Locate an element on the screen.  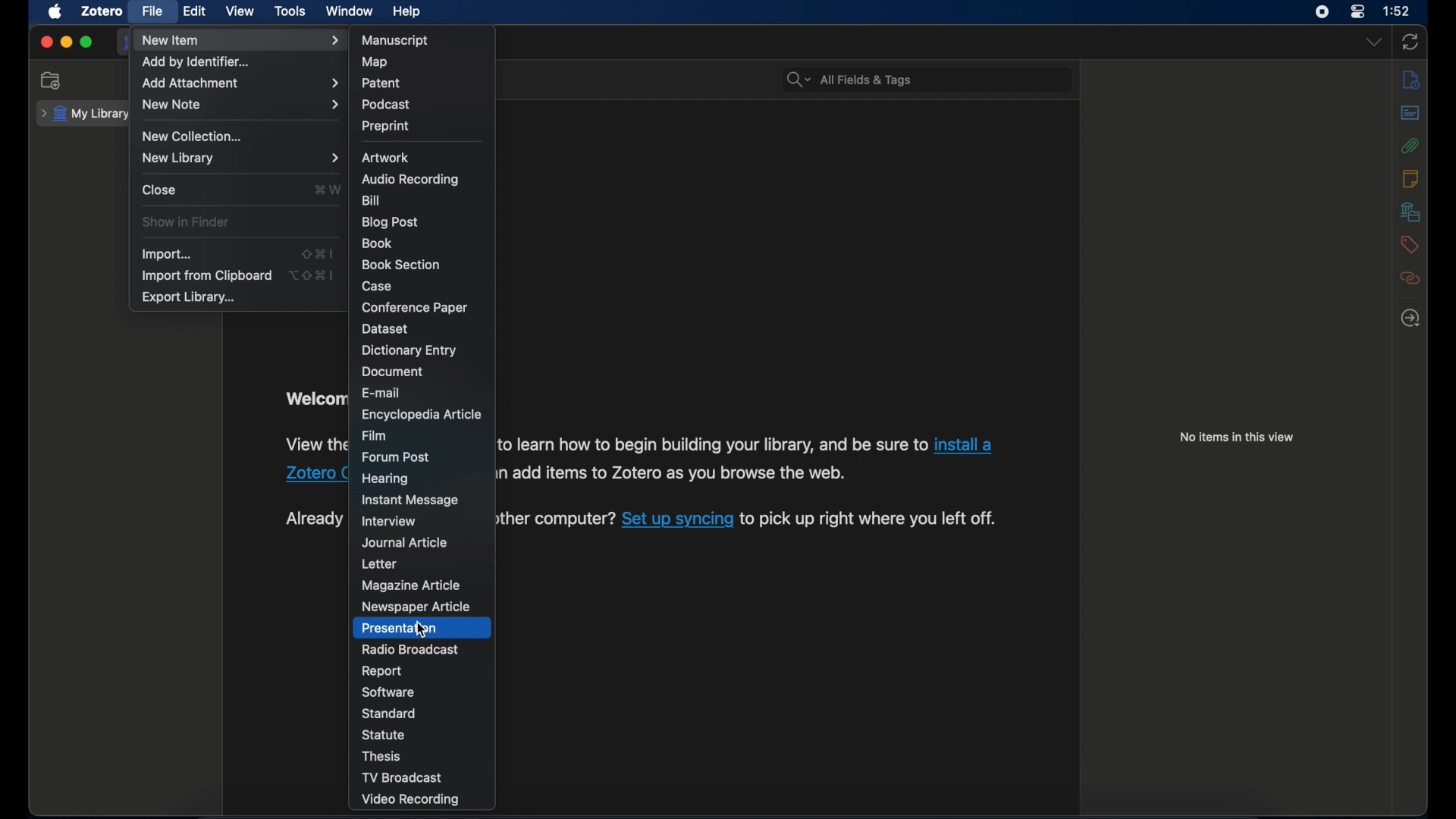
locate is located at coordinates (1411, 319).